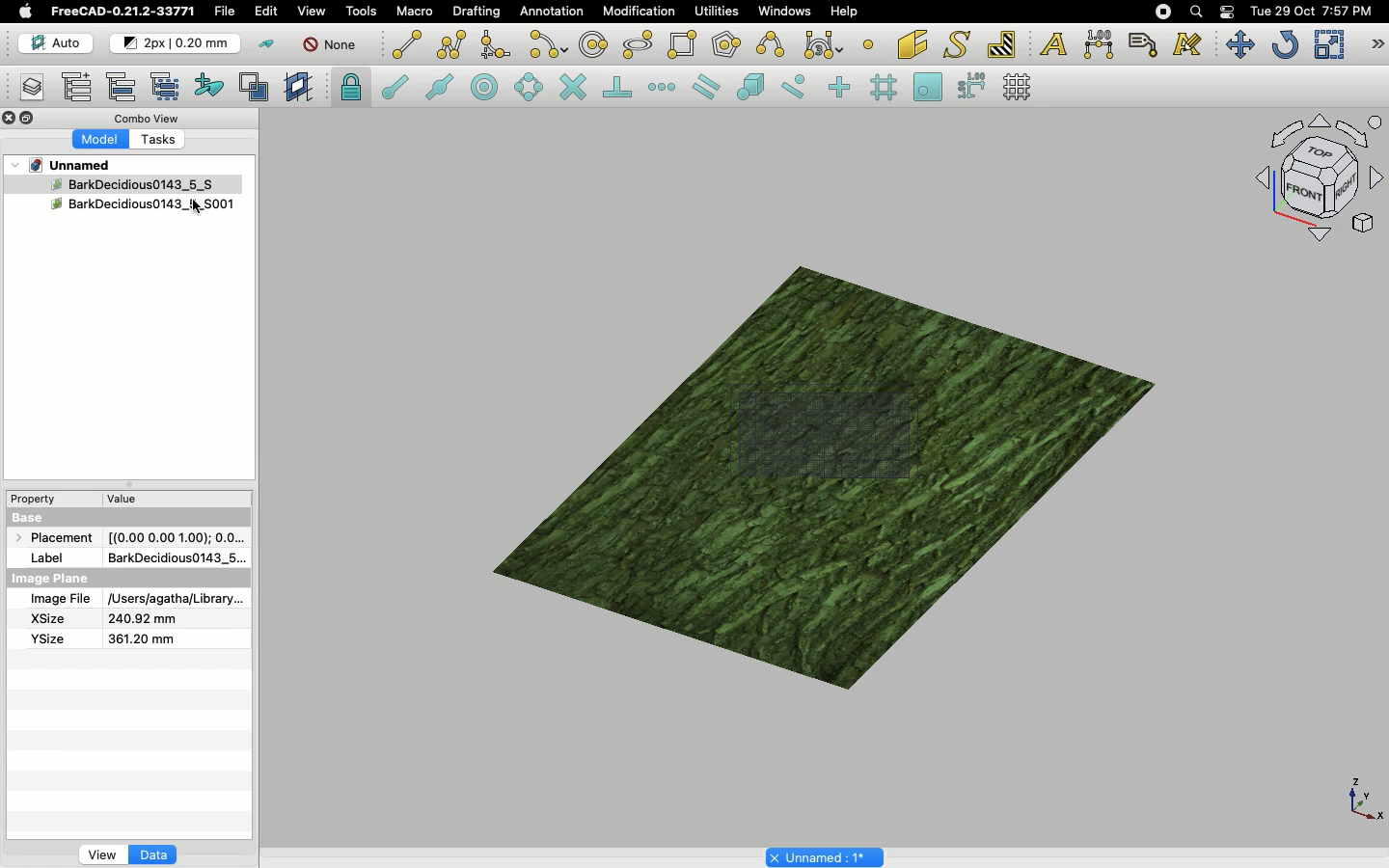  Describe the element at coordinates (490, 86) in the screenshot. I see `Snap center` at that location.